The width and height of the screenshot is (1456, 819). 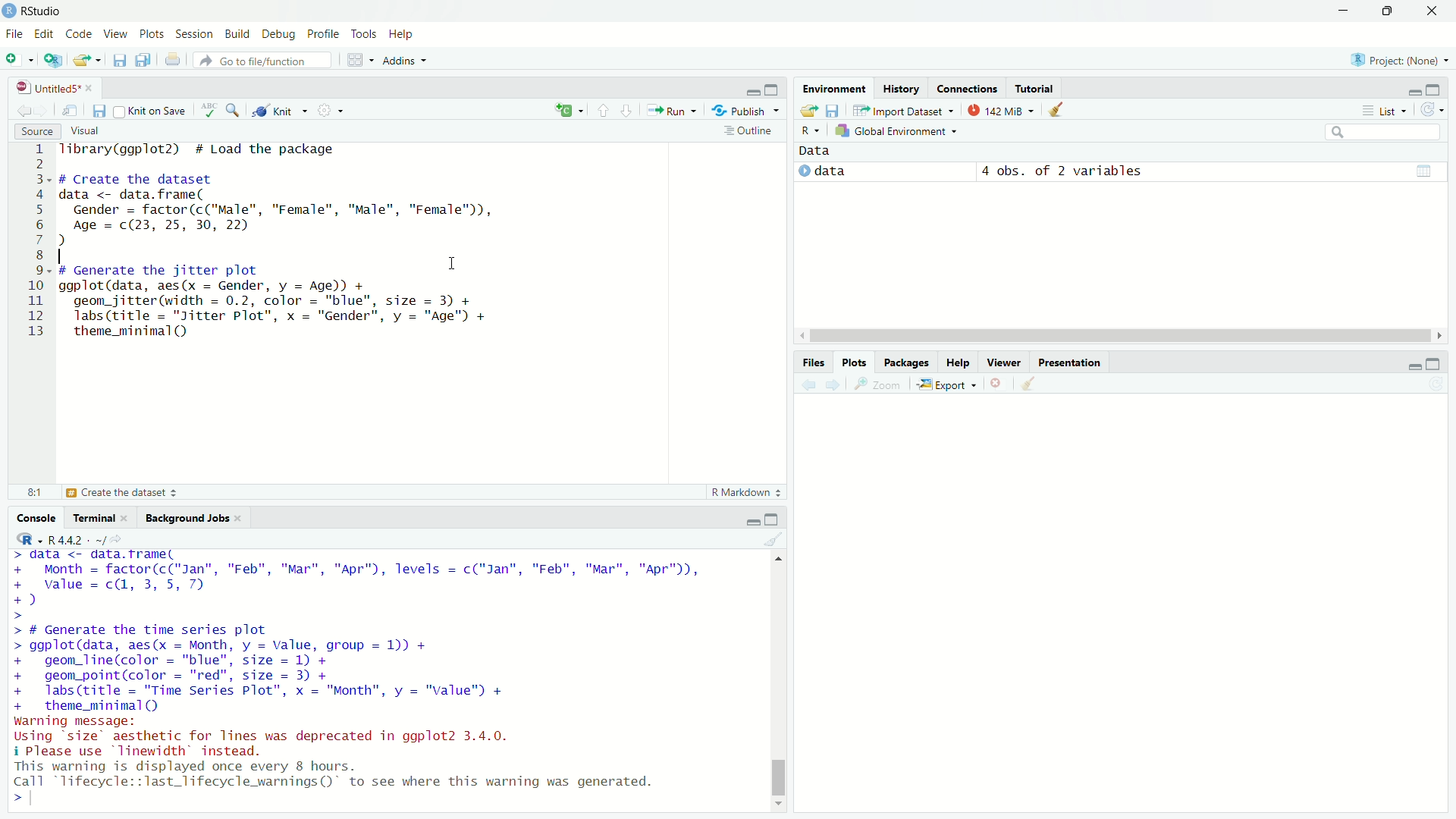 What do you see at coordinates (1039, 88) in the screenshot?
I see `tutorial` at bounding box center [1039, 88].